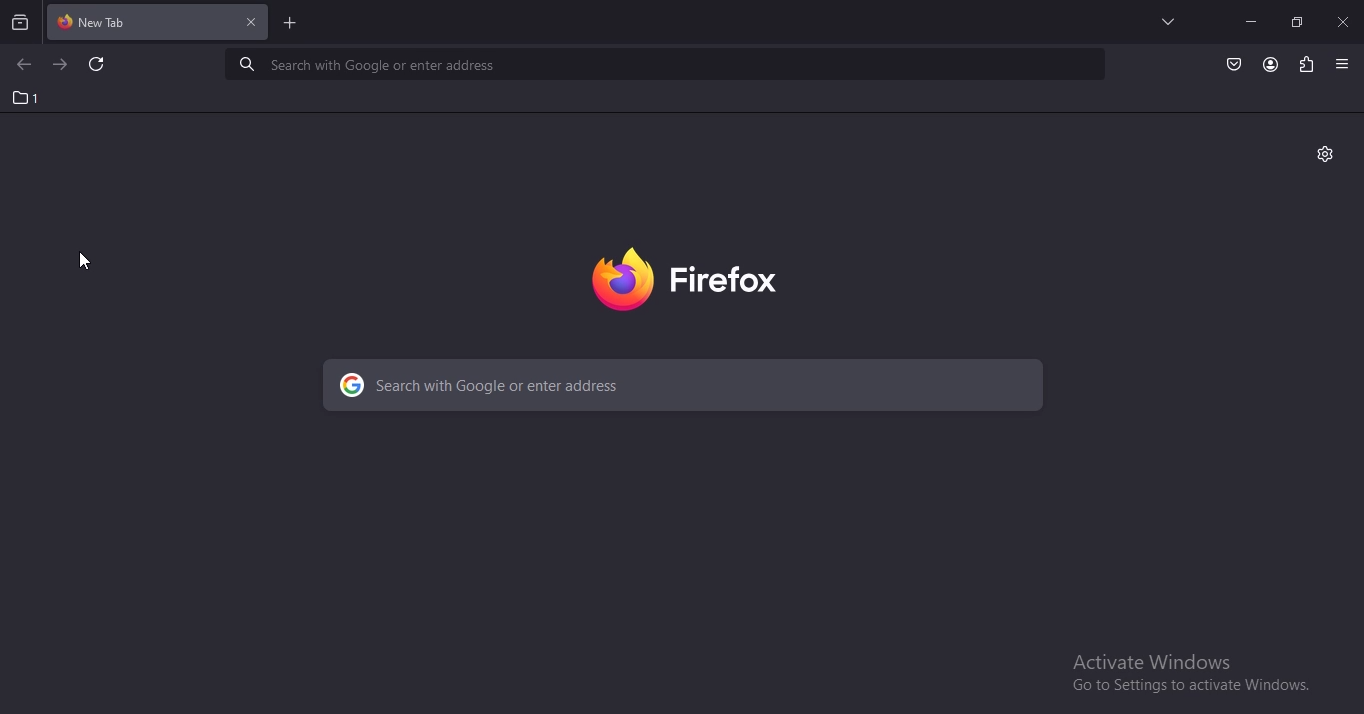 The image size is (1364, 714). What do you see at coordinates (696, 280) in the screenshot?
I see `image` at bounding box center [696, 280].